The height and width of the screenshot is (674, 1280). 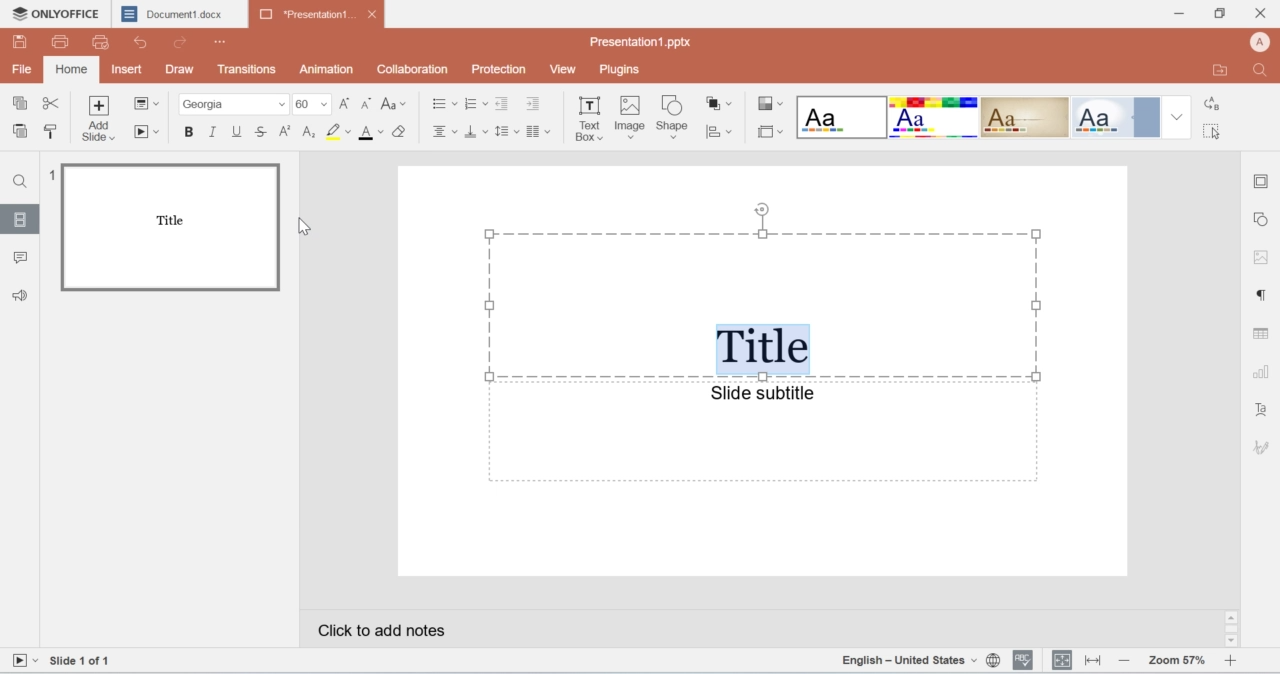 What do you see at coordinates (1262, 446) in the screenshot?
I see `icon` at bounding box center [1262, 446].